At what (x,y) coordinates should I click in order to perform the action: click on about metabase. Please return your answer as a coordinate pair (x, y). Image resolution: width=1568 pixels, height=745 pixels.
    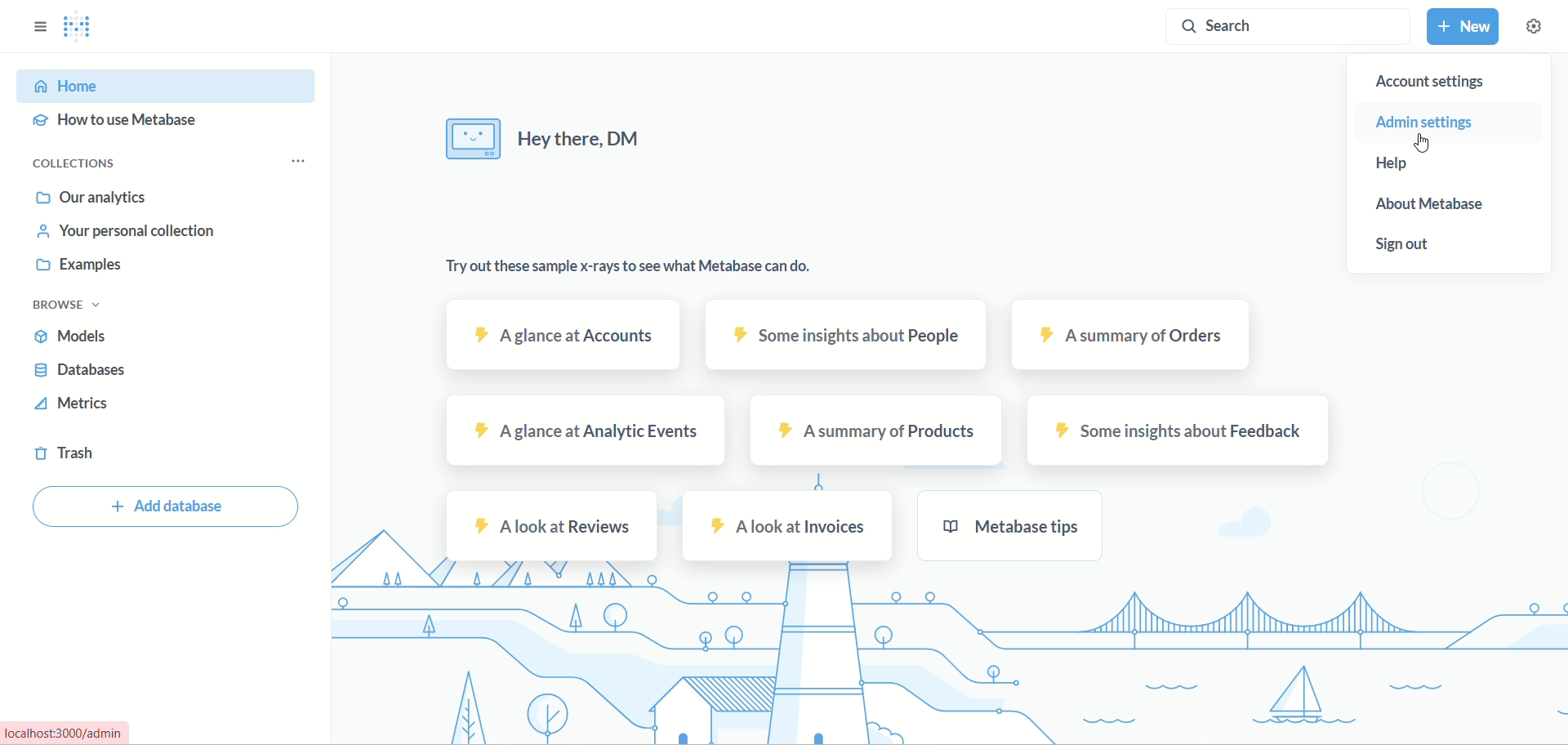
    Looking at the image, I should click on (1433, 203).